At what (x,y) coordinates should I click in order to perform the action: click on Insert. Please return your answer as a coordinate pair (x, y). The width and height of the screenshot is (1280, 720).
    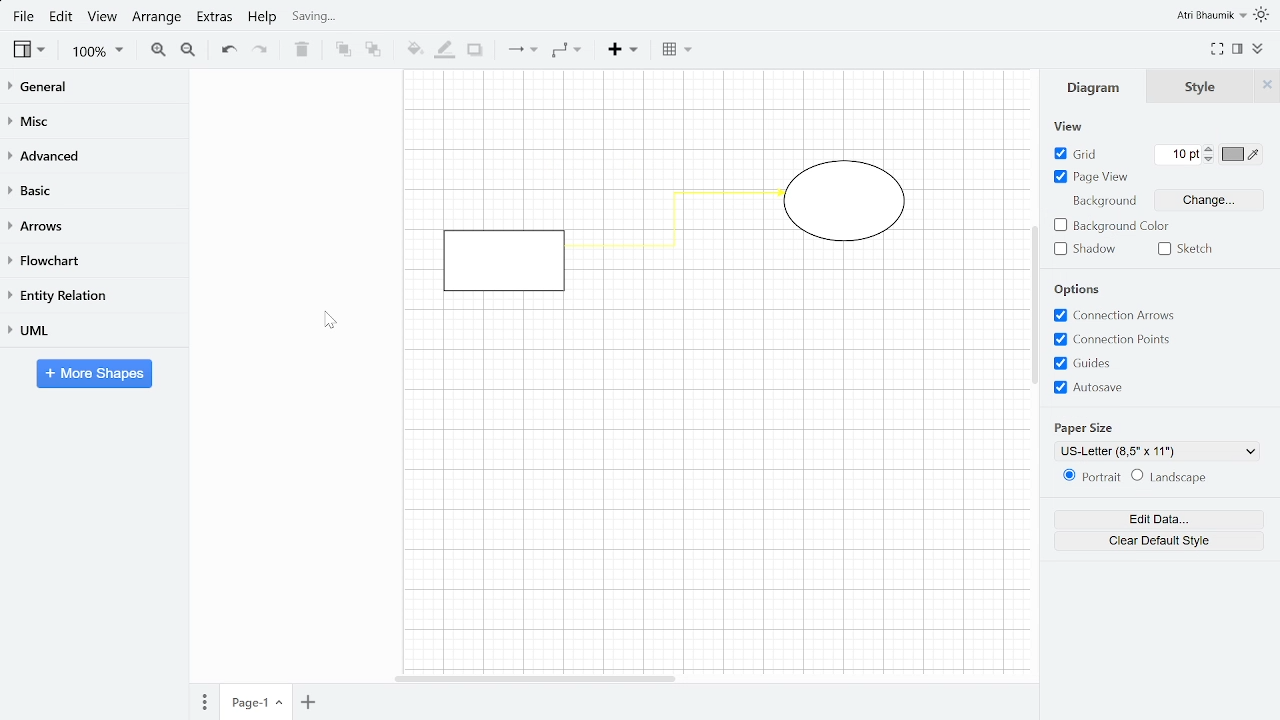
    Looking at the image, I should click on (625, 52).